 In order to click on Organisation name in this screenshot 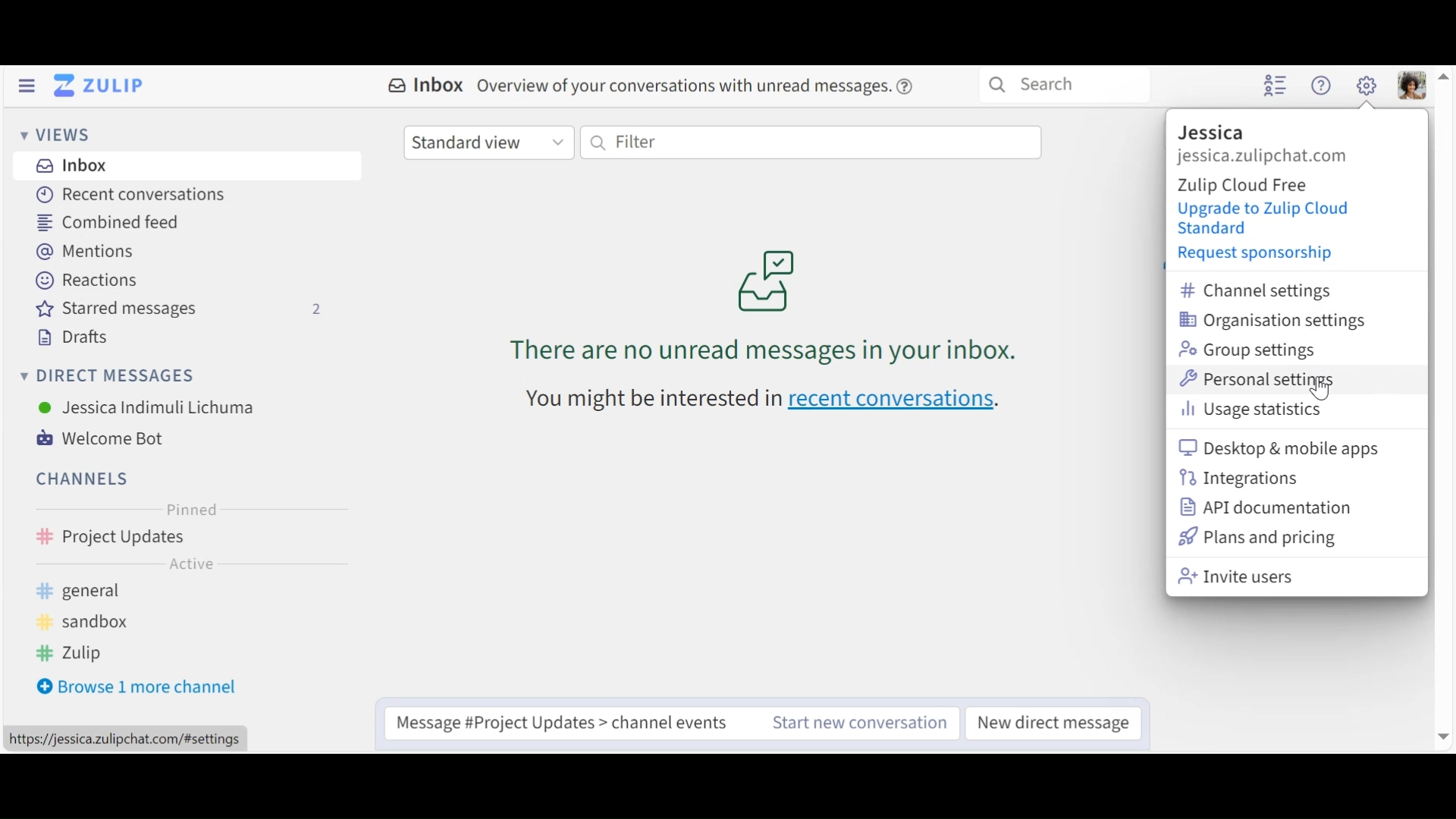, I will do `click(1212, 132)`.